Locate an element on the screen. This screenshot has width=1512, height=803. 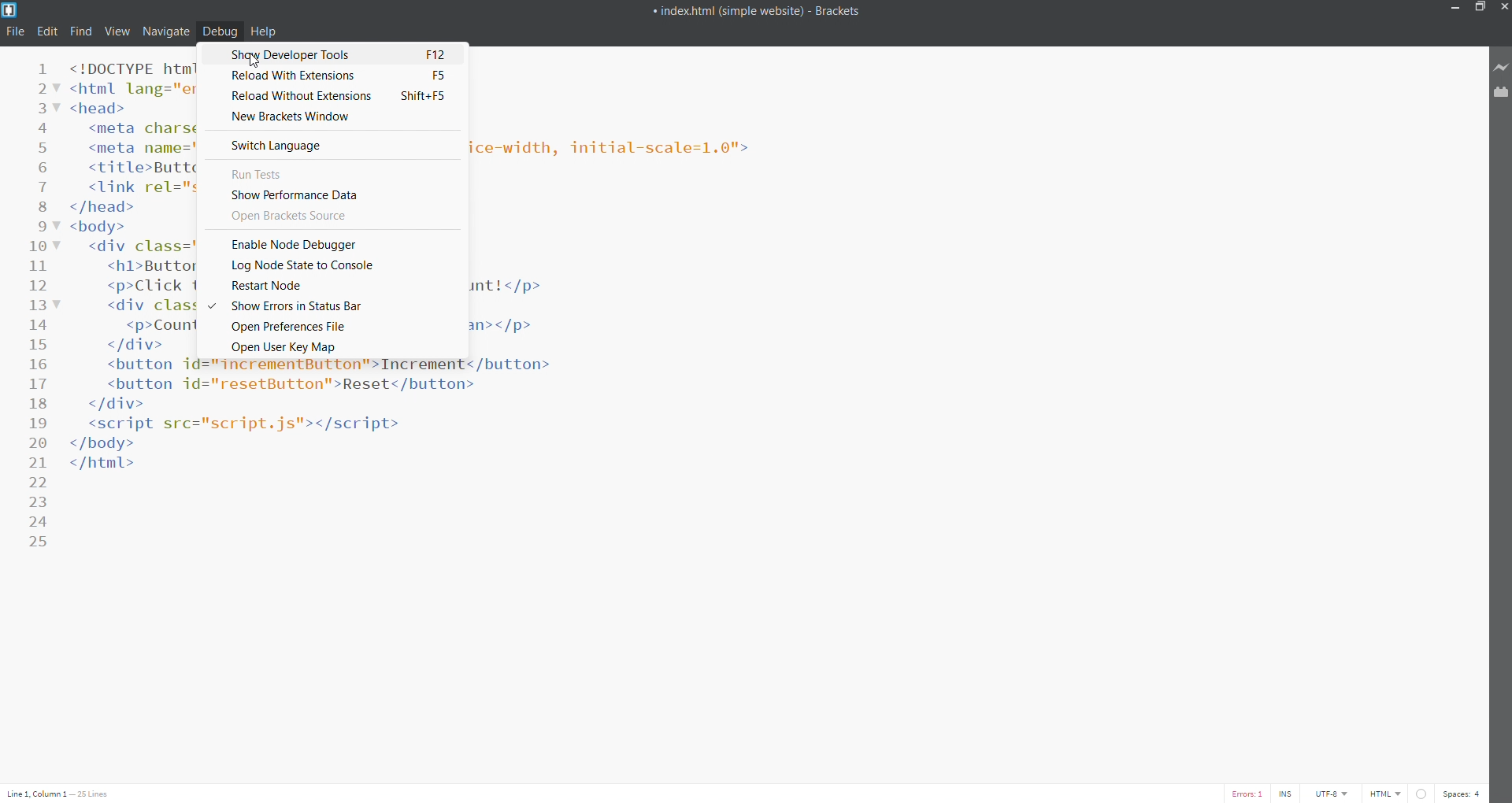
show developer tools is located at coordinates (332, 54).